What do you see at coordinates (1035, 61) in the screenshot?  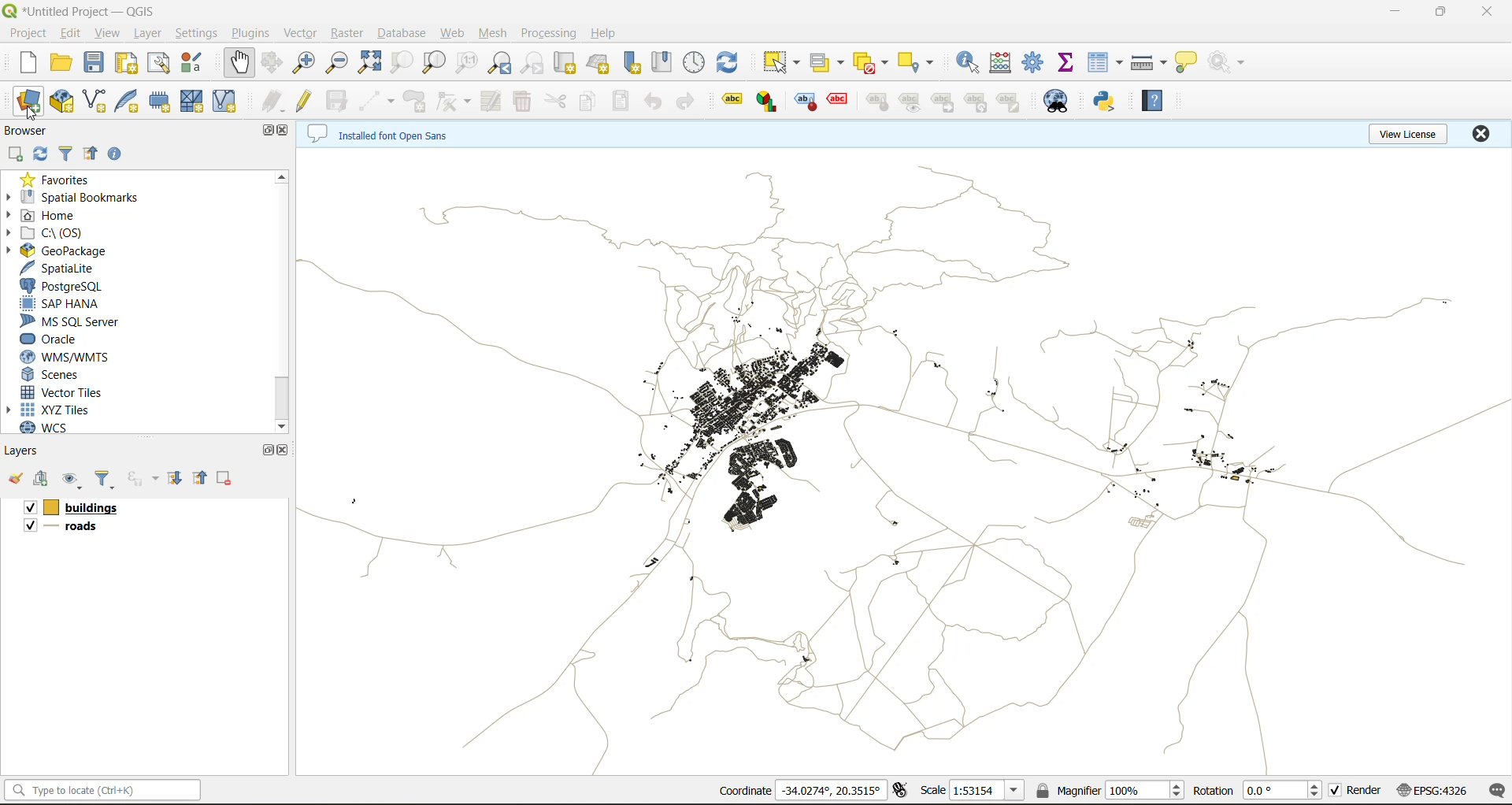 I see `tool box` at bounding box center [1035, 61].